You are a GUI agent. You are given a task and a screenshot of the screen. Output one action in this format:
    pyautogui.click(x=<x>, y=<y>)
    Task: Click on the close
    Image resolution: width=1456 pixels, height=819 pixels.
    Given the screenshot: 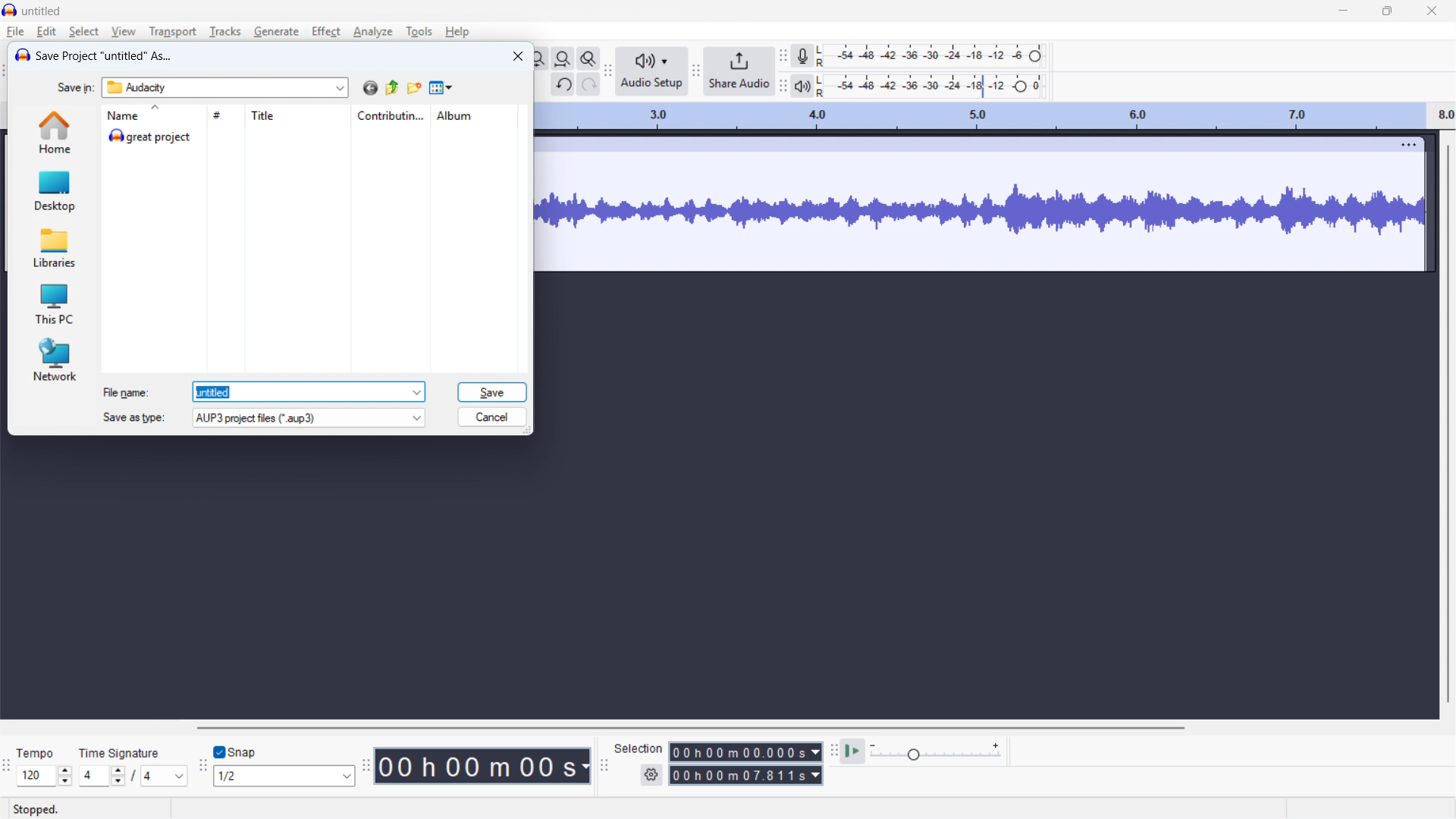 What is the action you would take?
    pyautogui.click(x=1431, y=11)
    